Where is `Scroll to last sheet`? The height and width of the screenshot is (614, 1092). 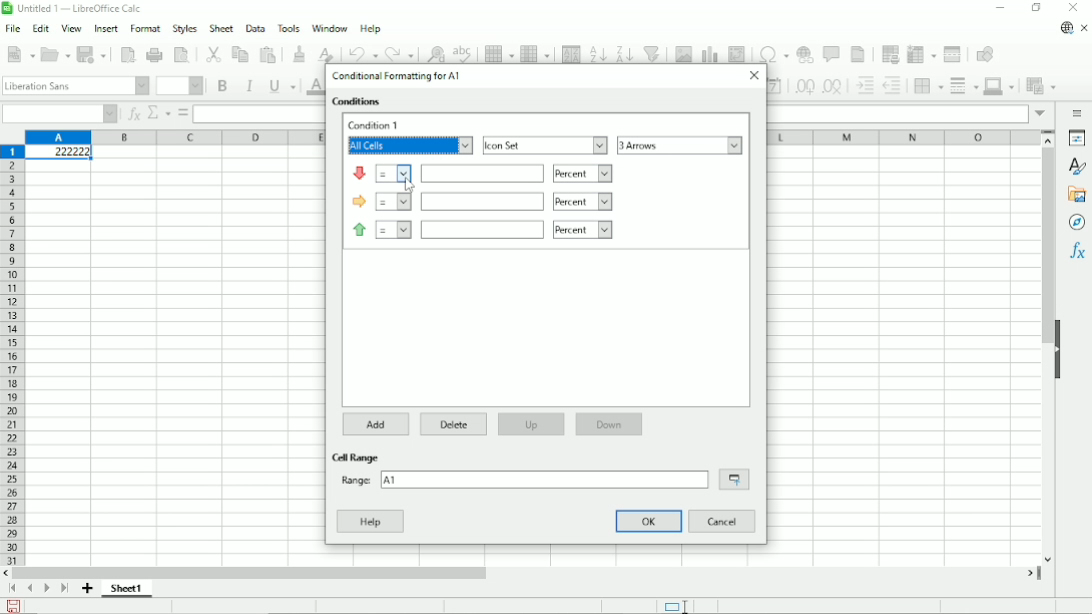
Scroll to last sheet is located at coordinates (64, 589).